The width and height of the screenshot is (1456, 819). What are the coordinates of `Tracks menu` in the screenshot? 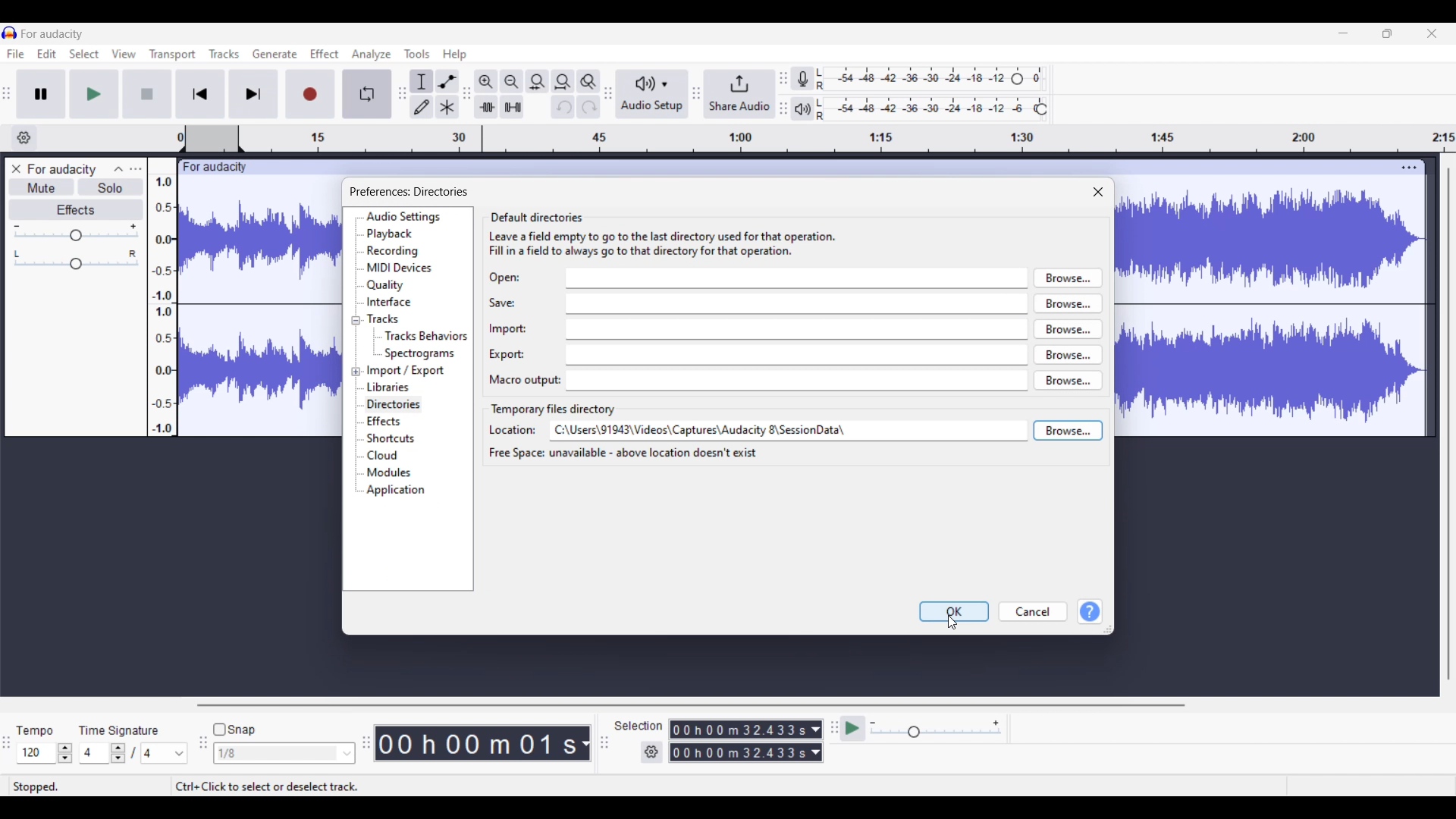 It's located at (224, 54).